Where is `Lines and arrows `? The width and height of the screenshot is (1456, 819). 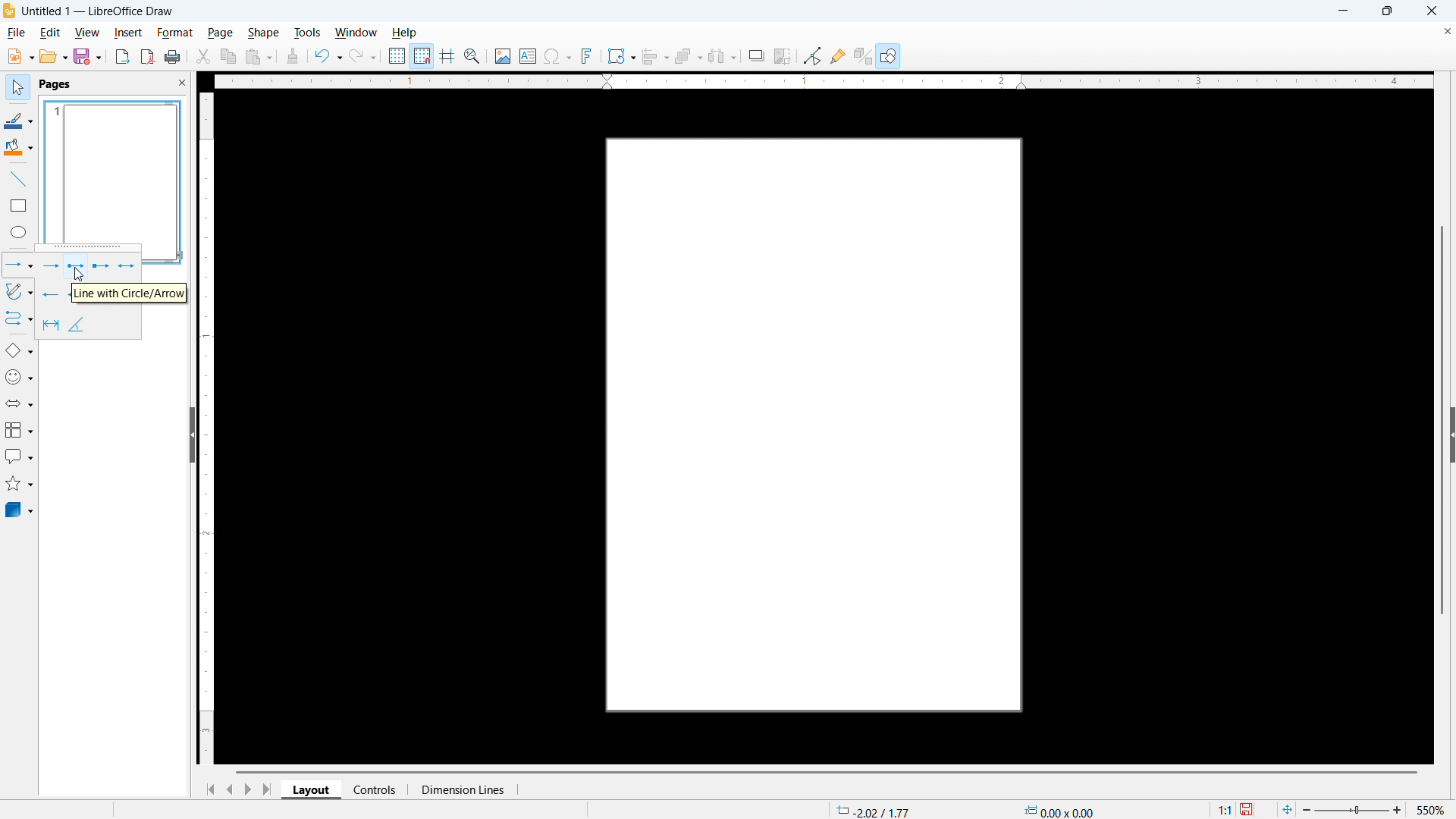 Lines and arrows  is located at coordinates (19, 265).